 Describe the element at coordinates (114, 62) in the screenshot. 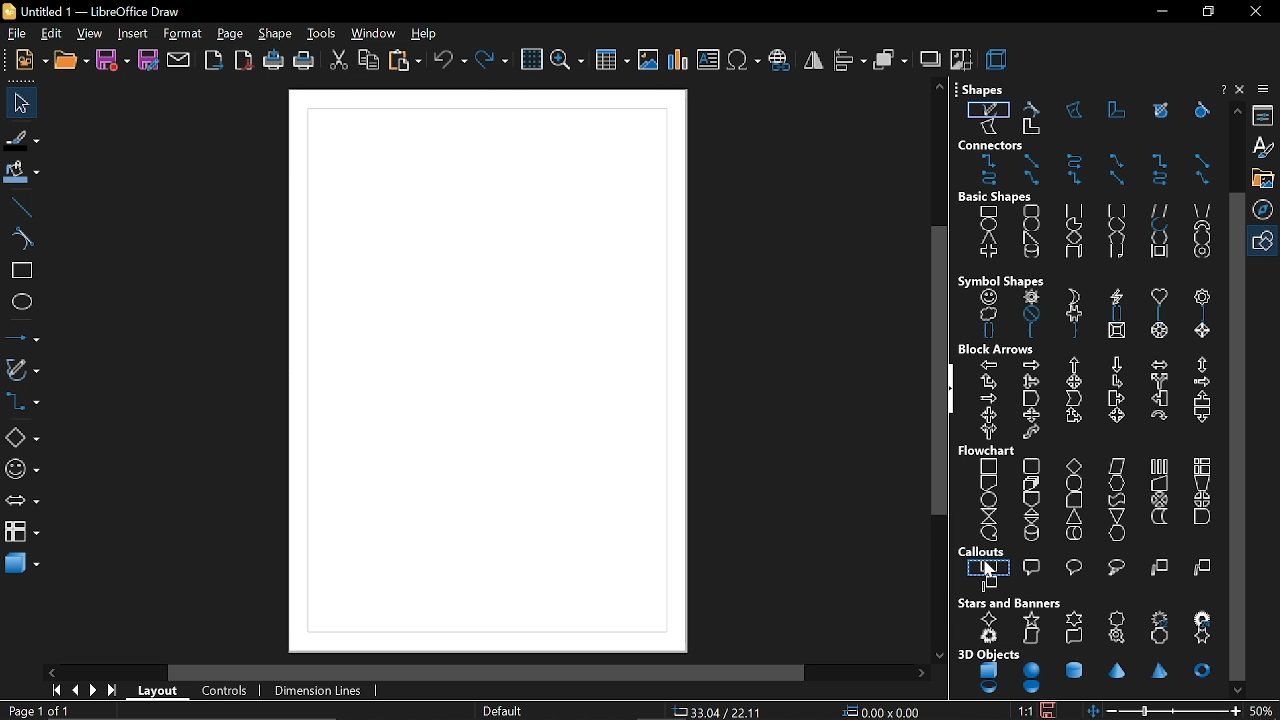

I see `save` at that location.